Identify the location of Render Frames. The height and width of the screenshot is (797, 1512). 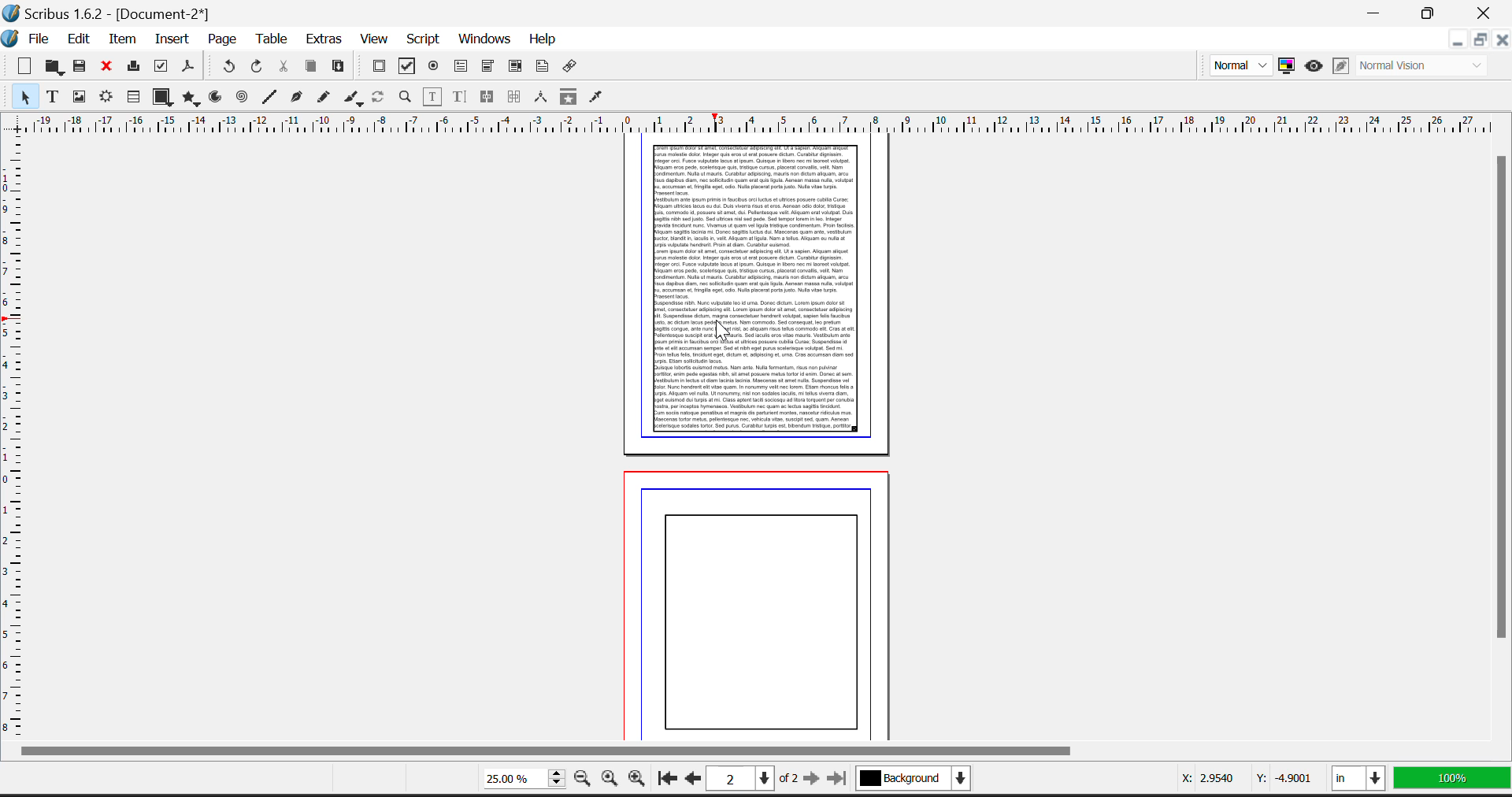
(108, 98).